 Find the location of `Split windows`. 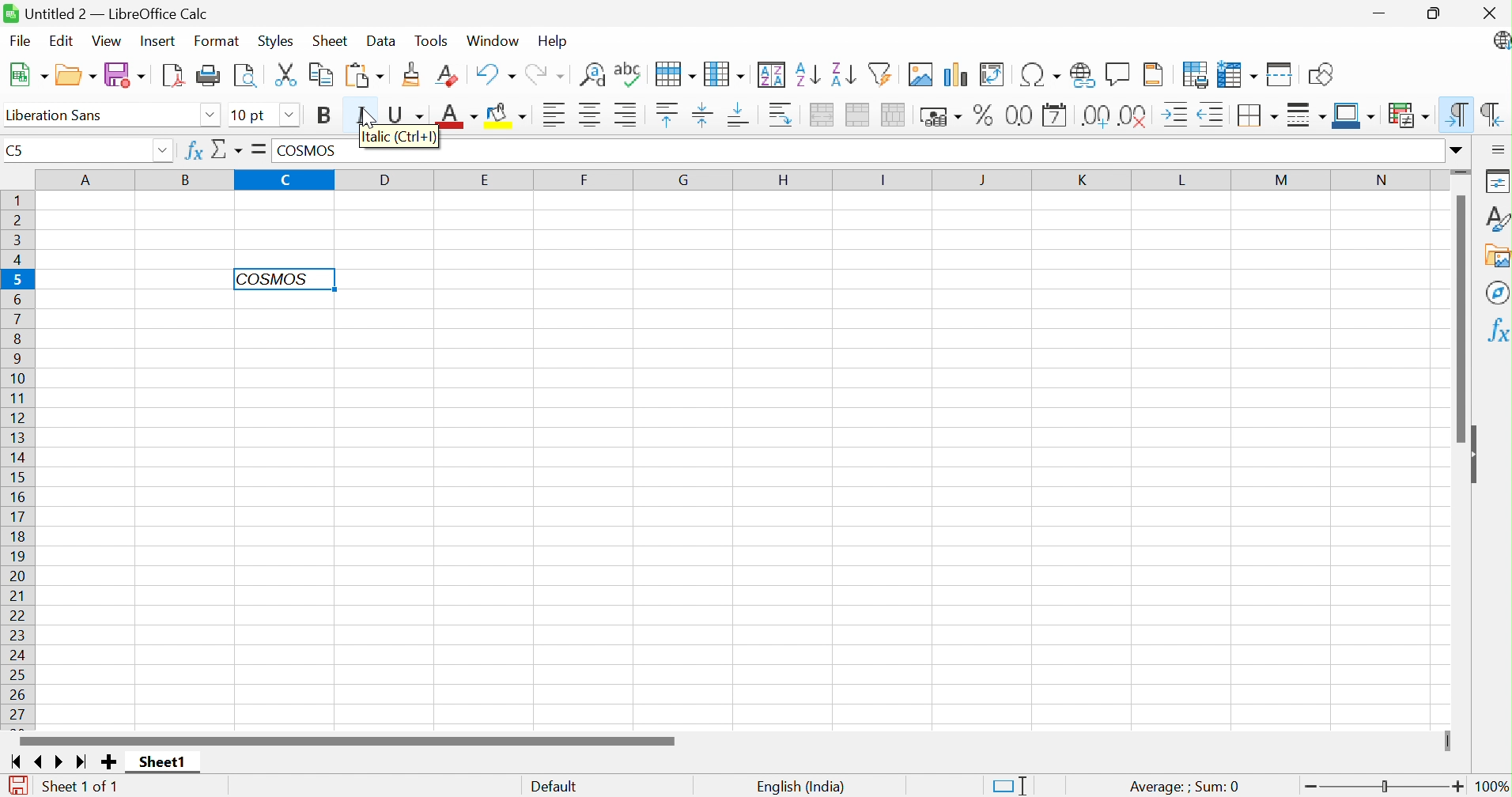

Split windows is located at coordinates (1280, 74).